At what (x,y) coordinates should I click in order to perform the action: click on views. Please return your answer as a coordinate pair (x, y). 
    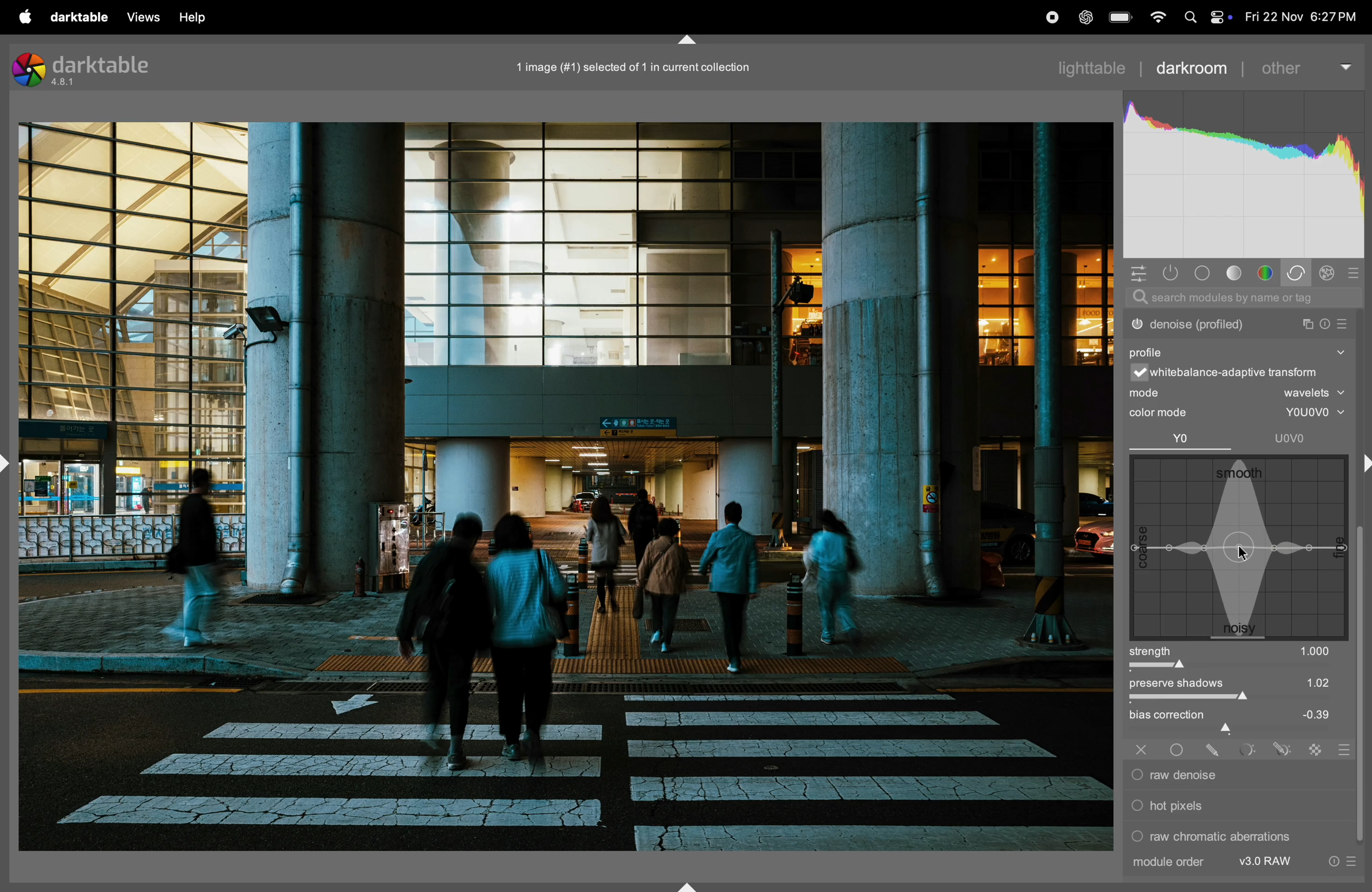
    Looking at the image, I should click on (144, 17).